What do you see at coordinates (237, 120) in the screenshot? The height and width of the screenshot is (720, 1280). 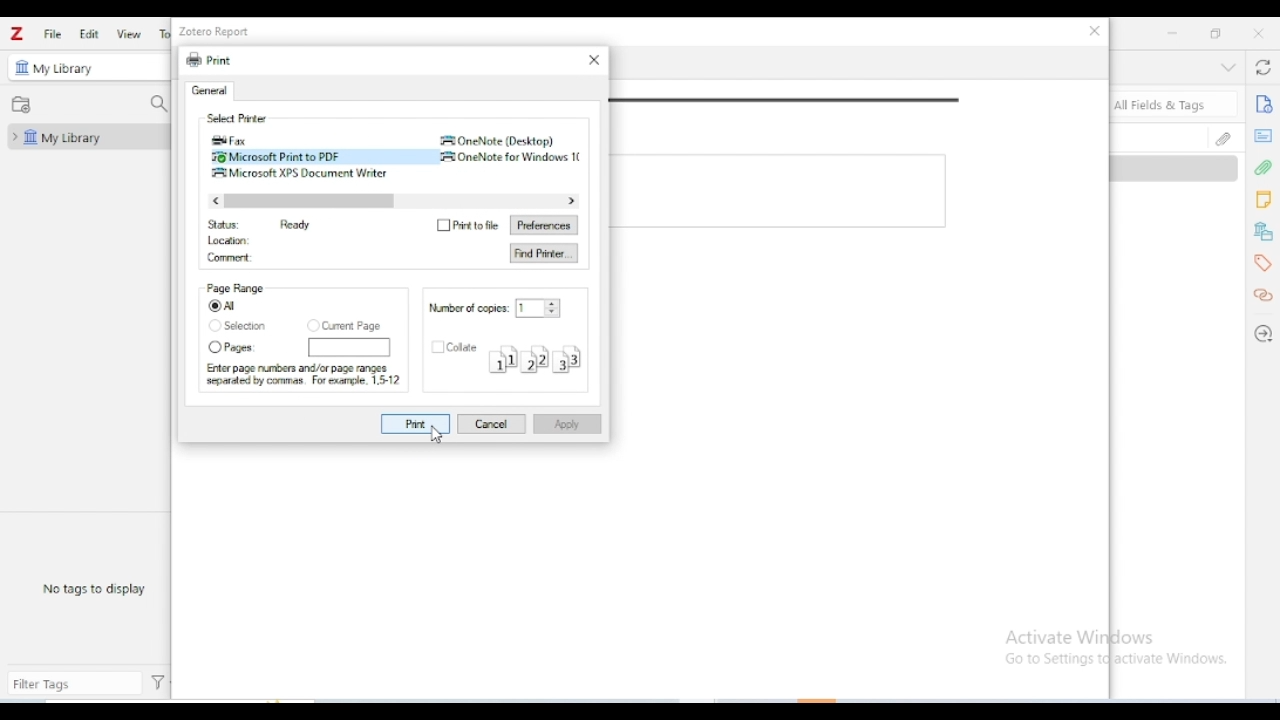 I see `select printer` at bounding box center [237, 120].